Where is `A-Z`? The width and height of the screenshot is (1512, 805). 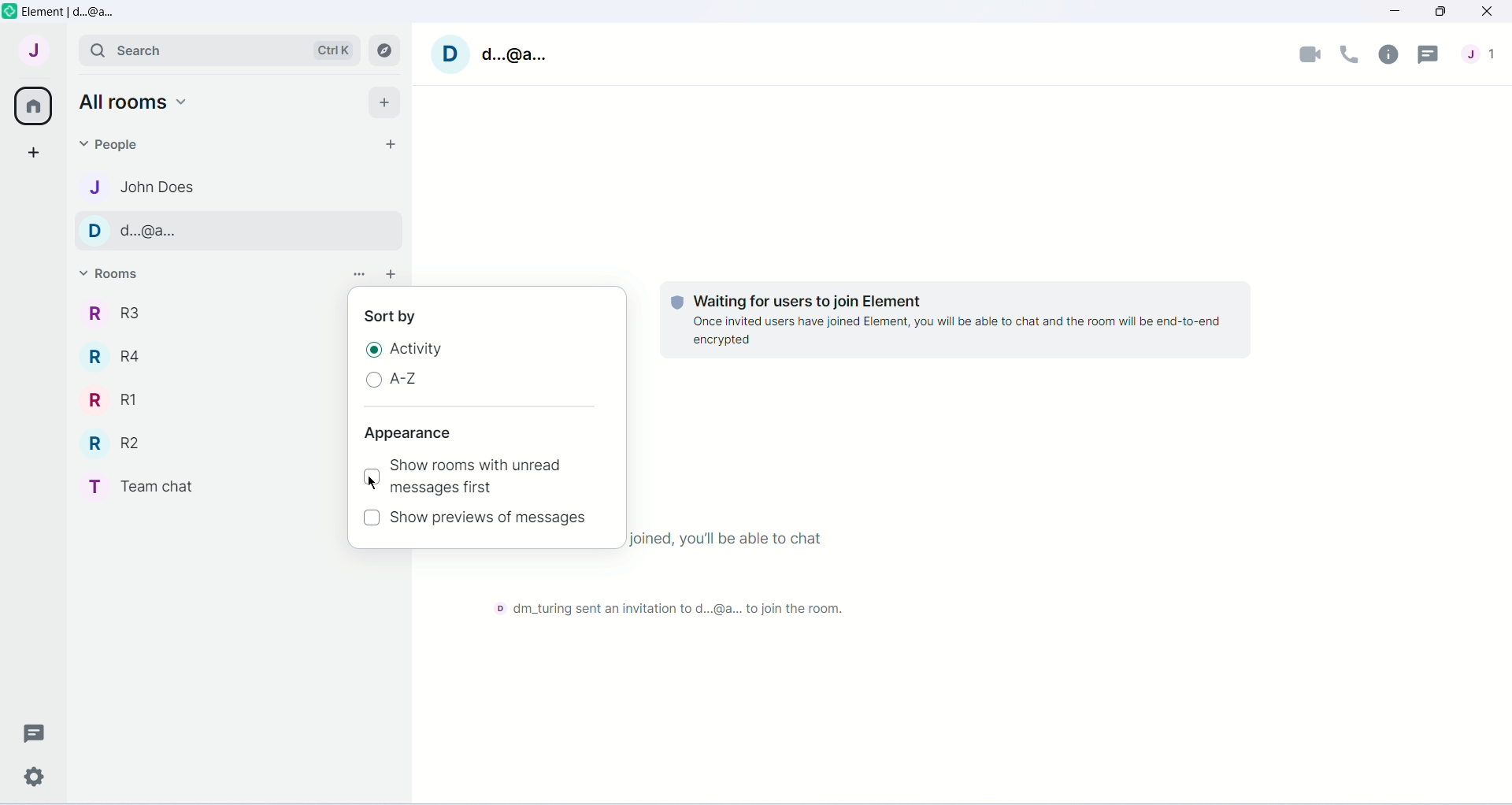
A-Z is located at coordinates (403, 379).